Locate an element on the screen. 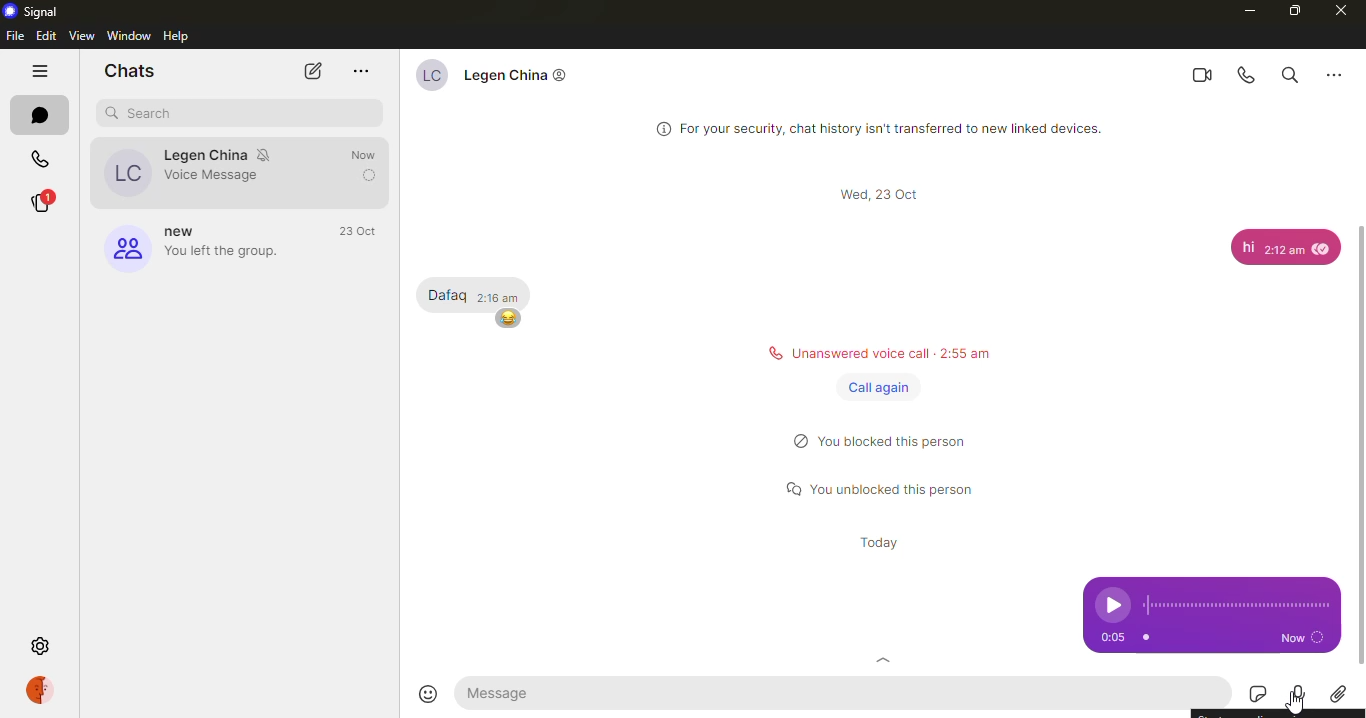  hide tabs is located at coordinates (41, 72).